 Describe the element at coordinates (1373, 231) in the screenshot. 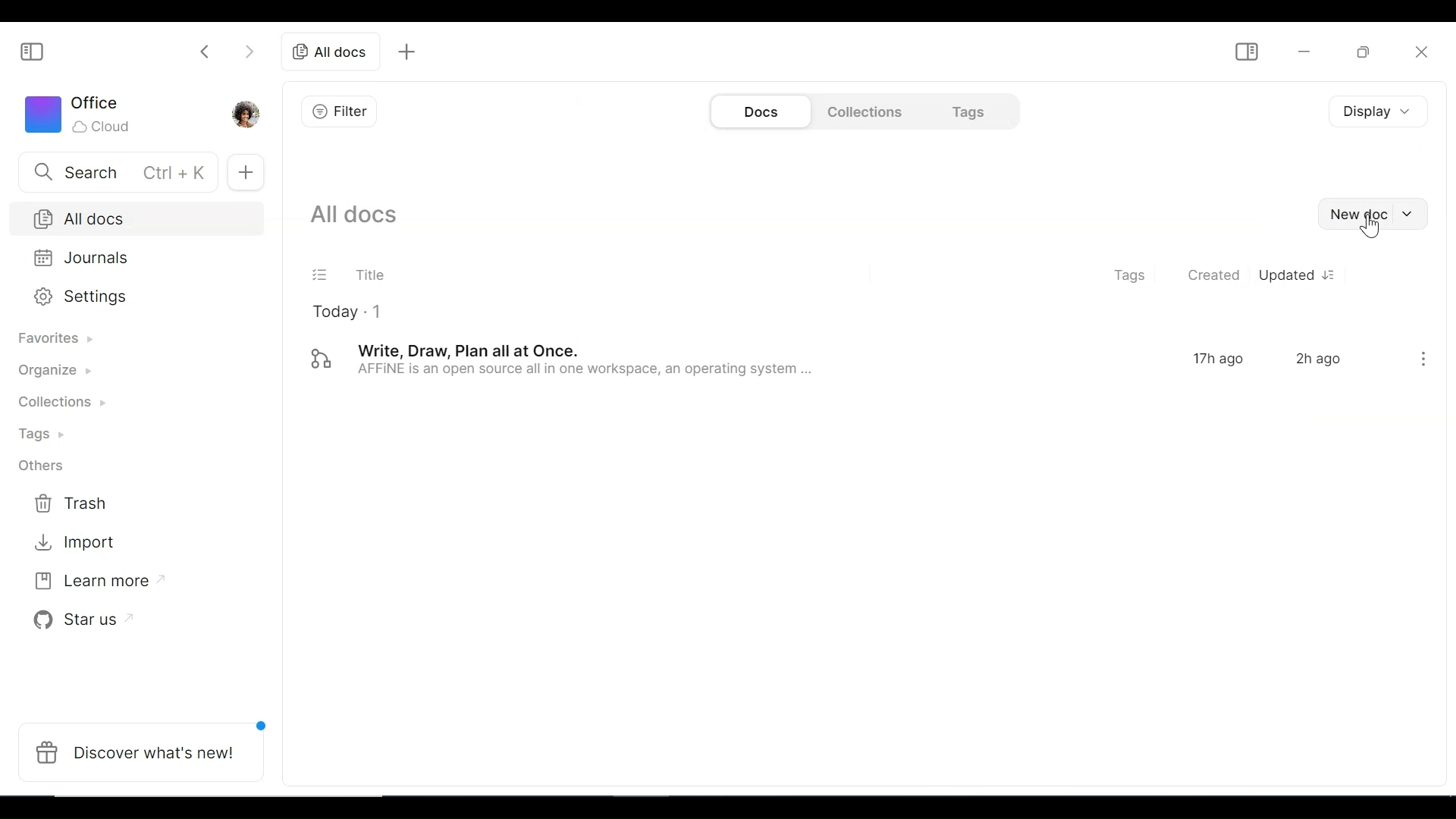

I see `cursor` at that location.